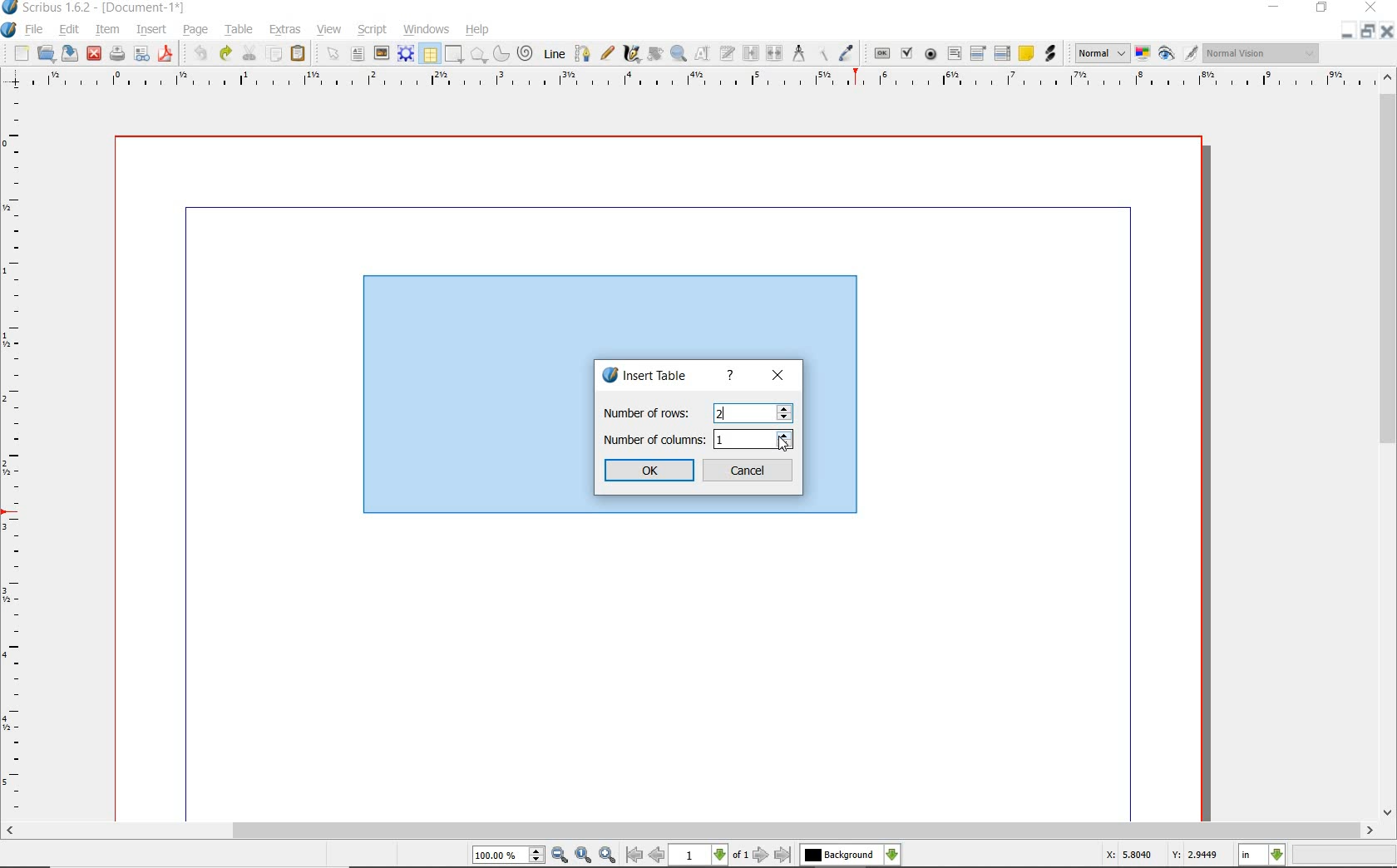  I want to click on cursor, so click(783, 443).